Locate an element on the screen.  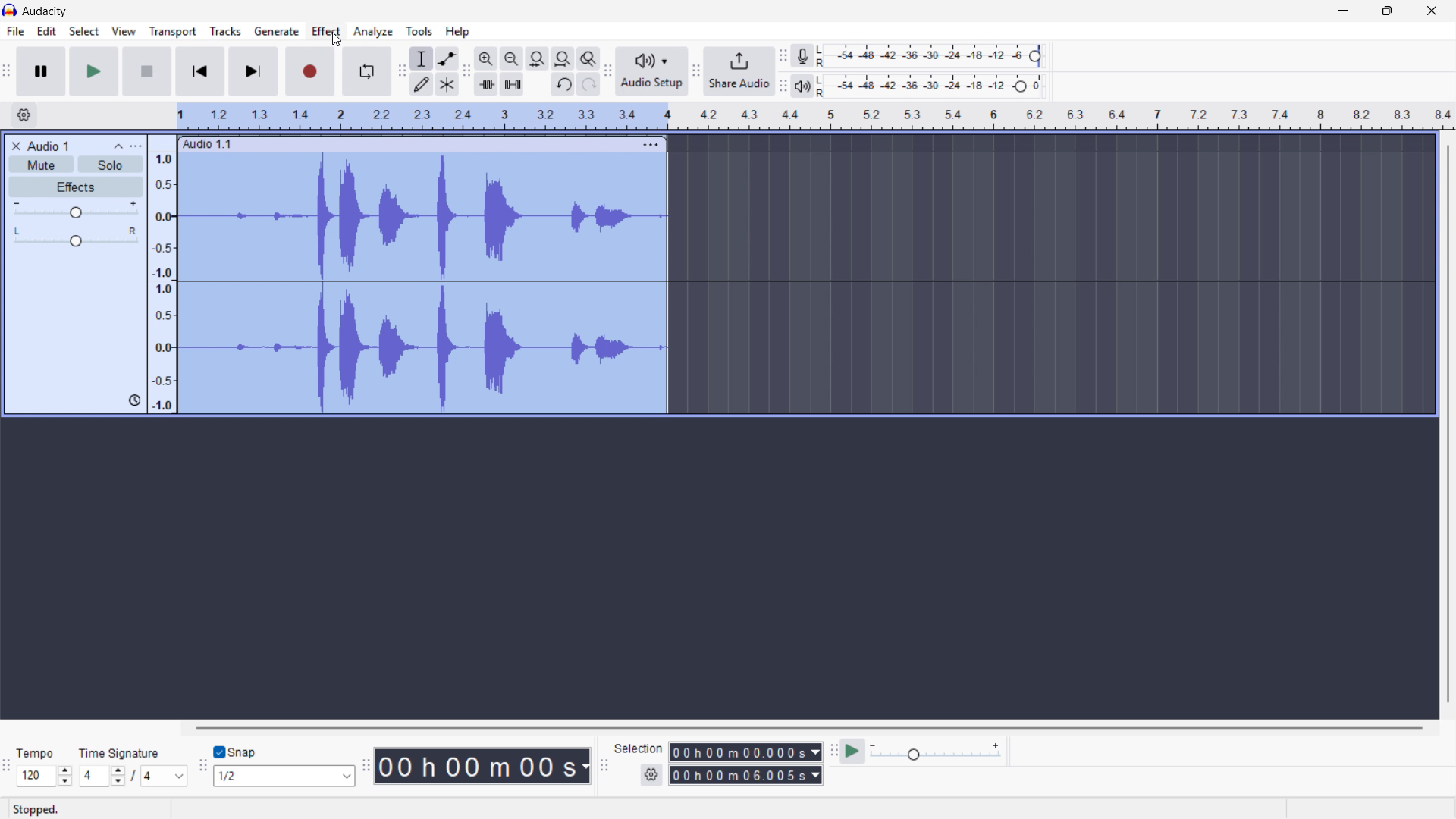
Amplitude is located at coordinates (162, 275).